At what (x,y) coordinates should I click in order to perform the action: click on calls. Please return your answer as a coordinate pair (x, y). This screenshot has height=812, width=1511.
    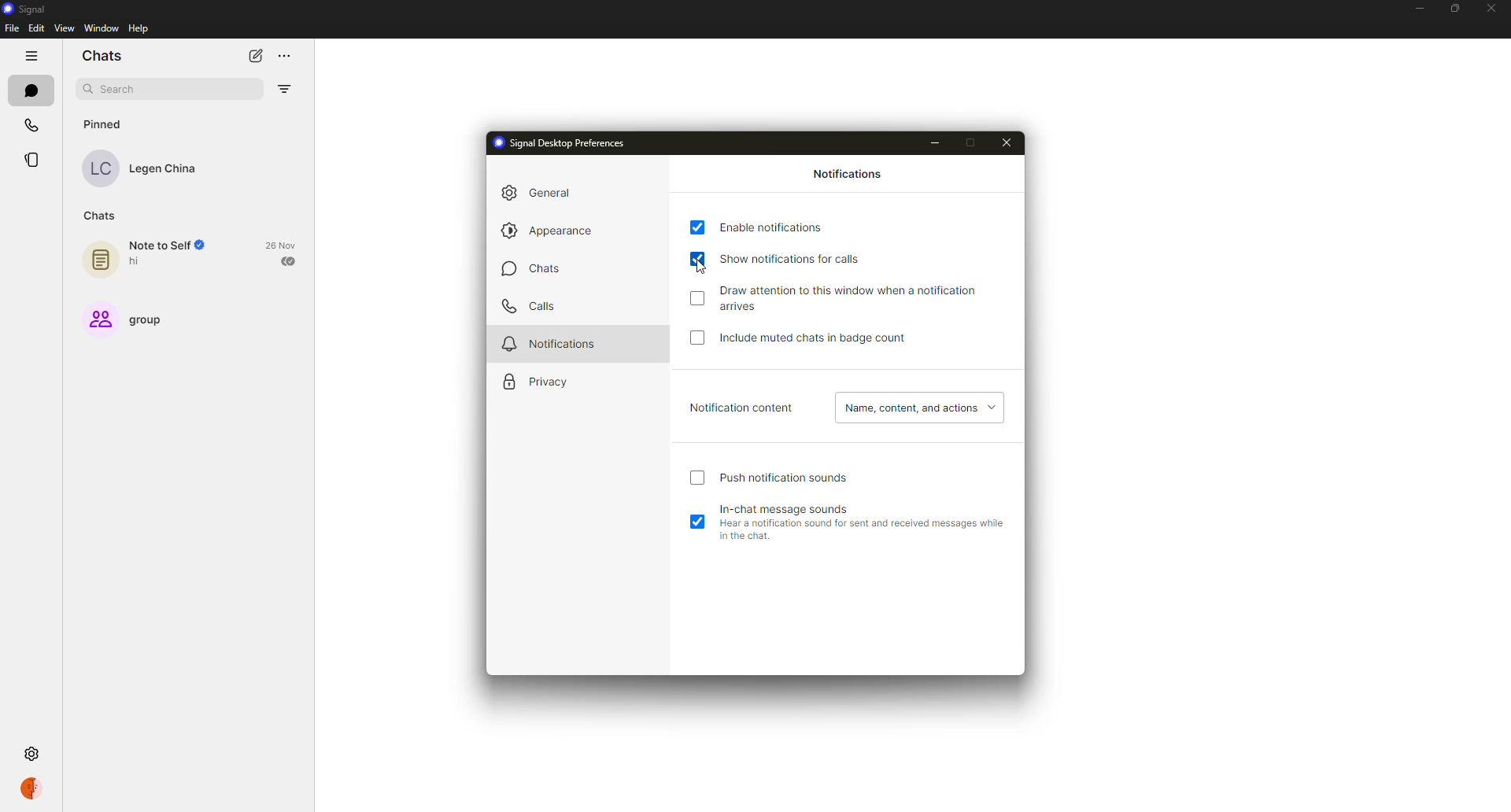
    Looking at the image, I should click on (532, 304).